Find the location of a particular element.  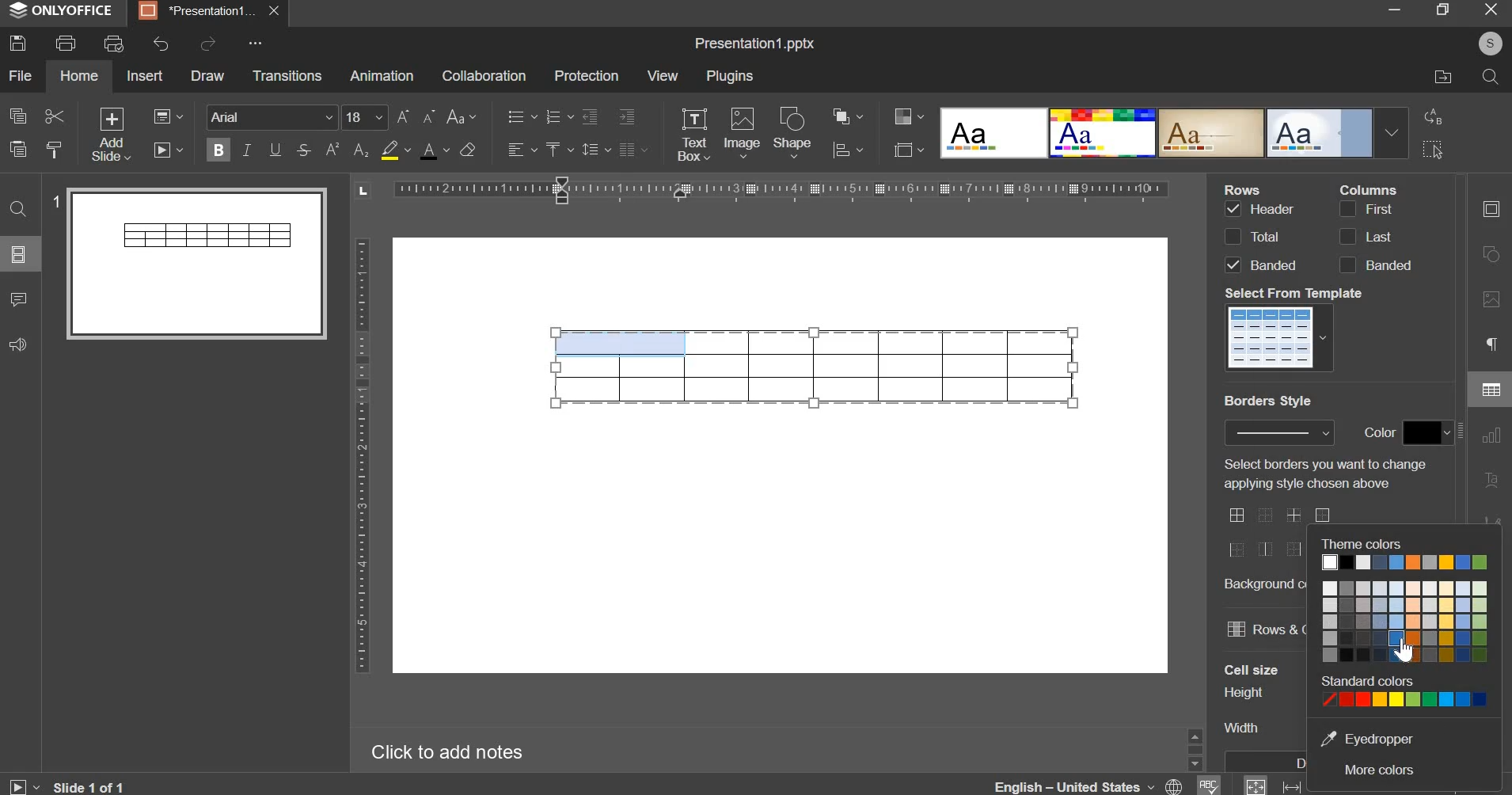

border style is located at coordinates (1279, 432).